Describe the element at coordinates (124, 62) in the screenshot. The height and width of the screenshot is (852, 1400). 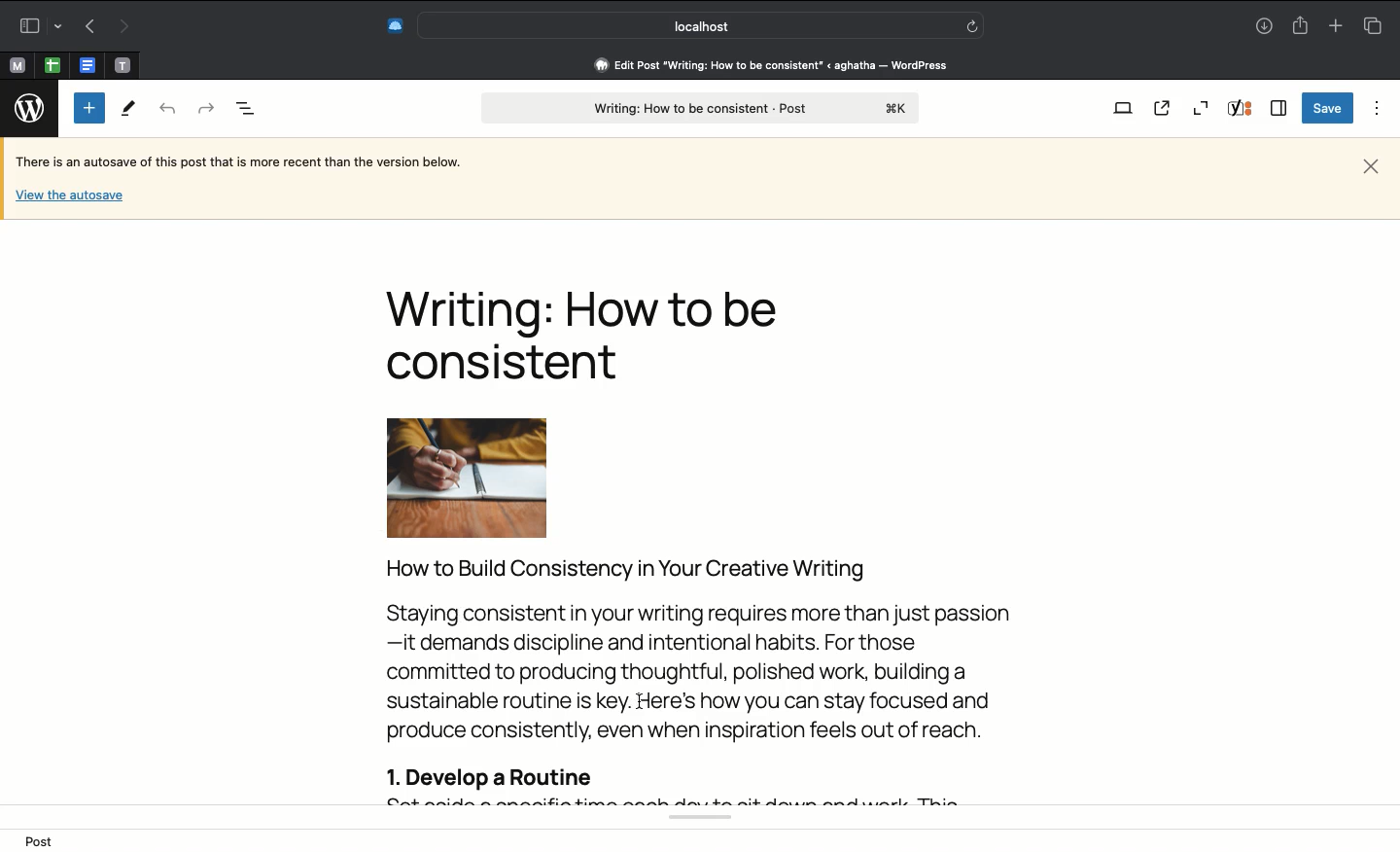
I see `pinned tab` at that location.